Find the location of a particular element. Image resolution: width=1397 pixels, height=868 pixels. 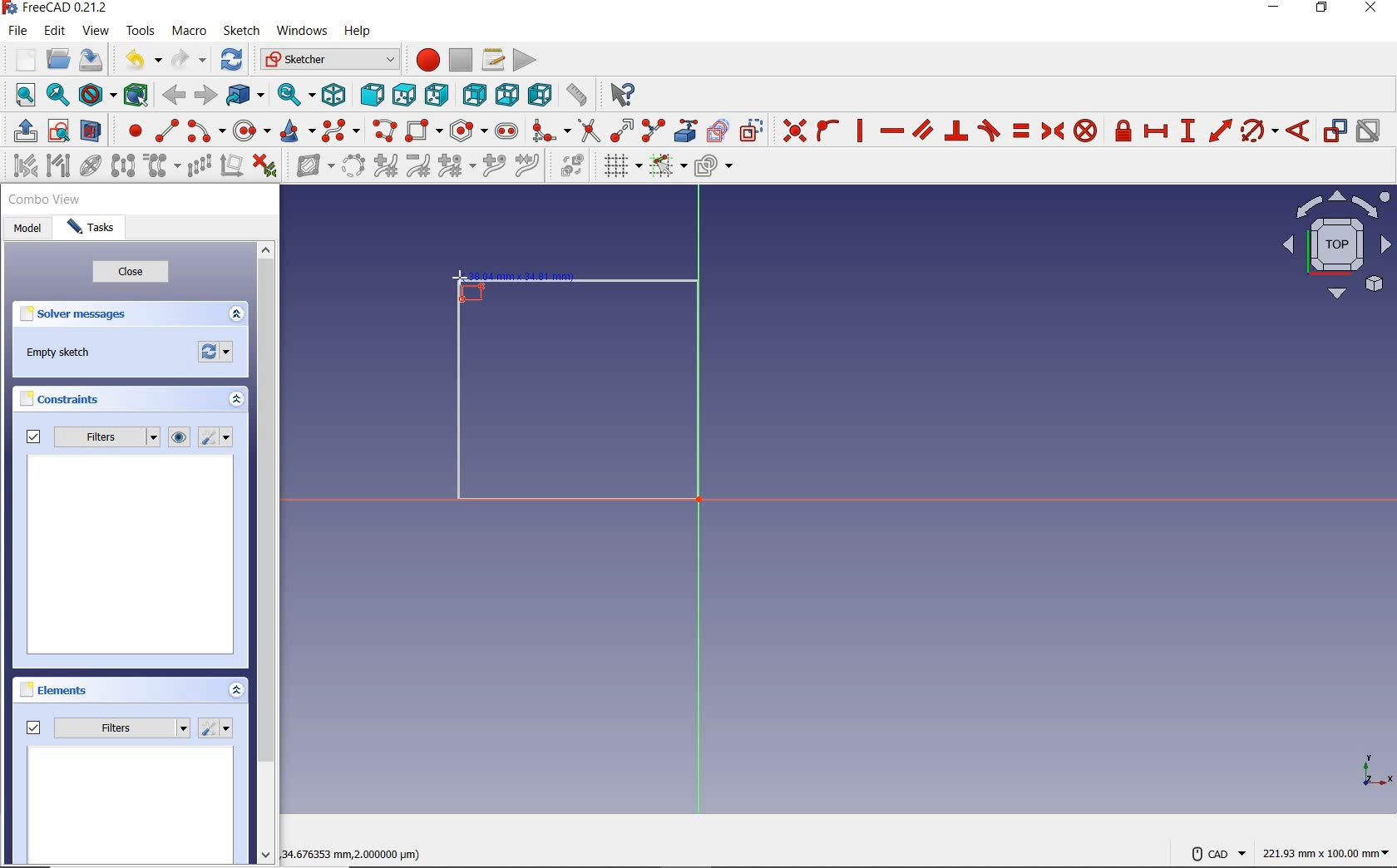

constrain block is located at coordinates (1085, 131).